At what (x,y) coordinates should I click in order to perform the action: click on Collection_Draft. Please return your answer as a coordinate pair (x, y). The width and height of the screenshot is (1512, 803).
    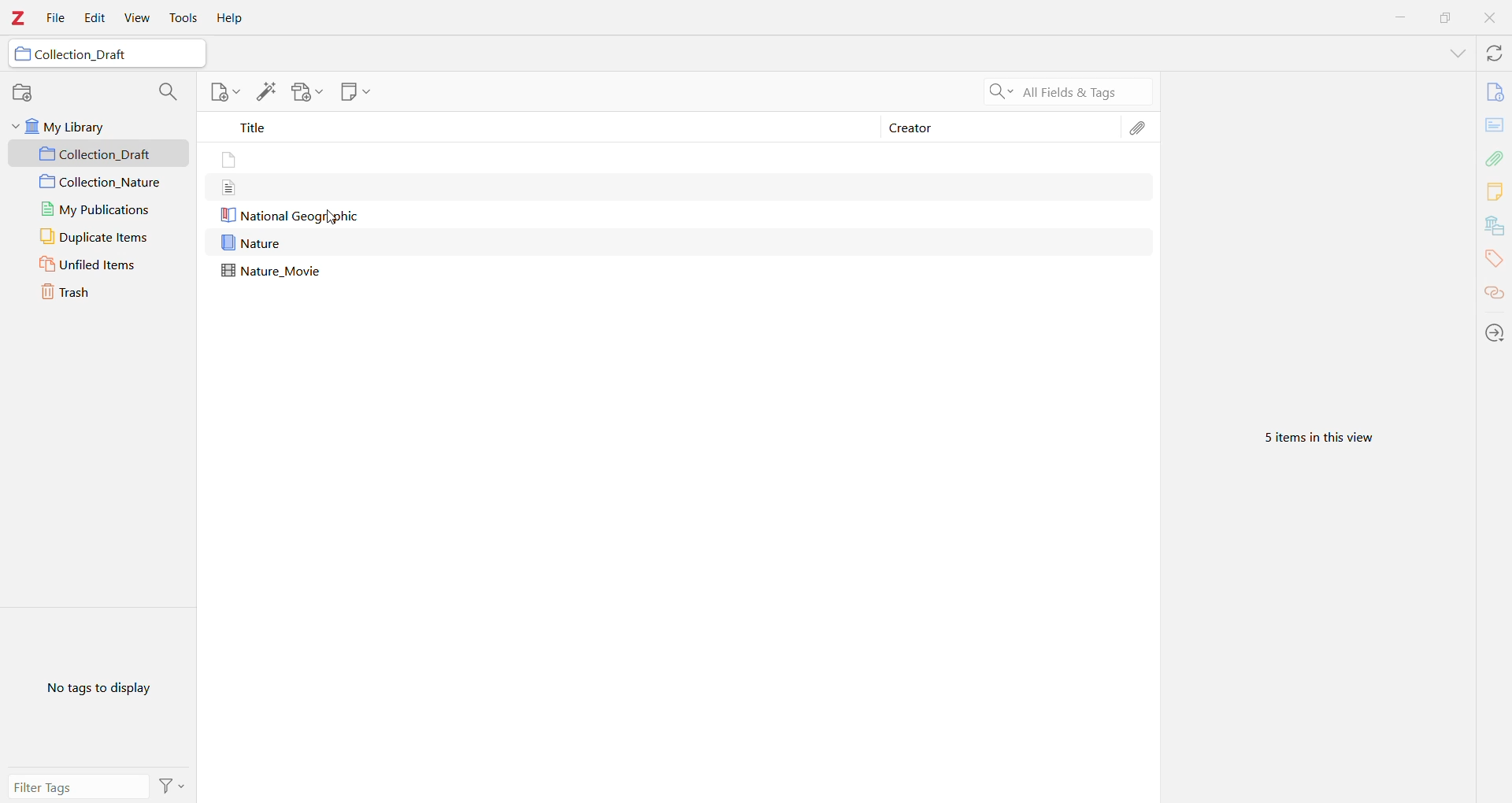
    Looking at the image, I should click on (100, 154).